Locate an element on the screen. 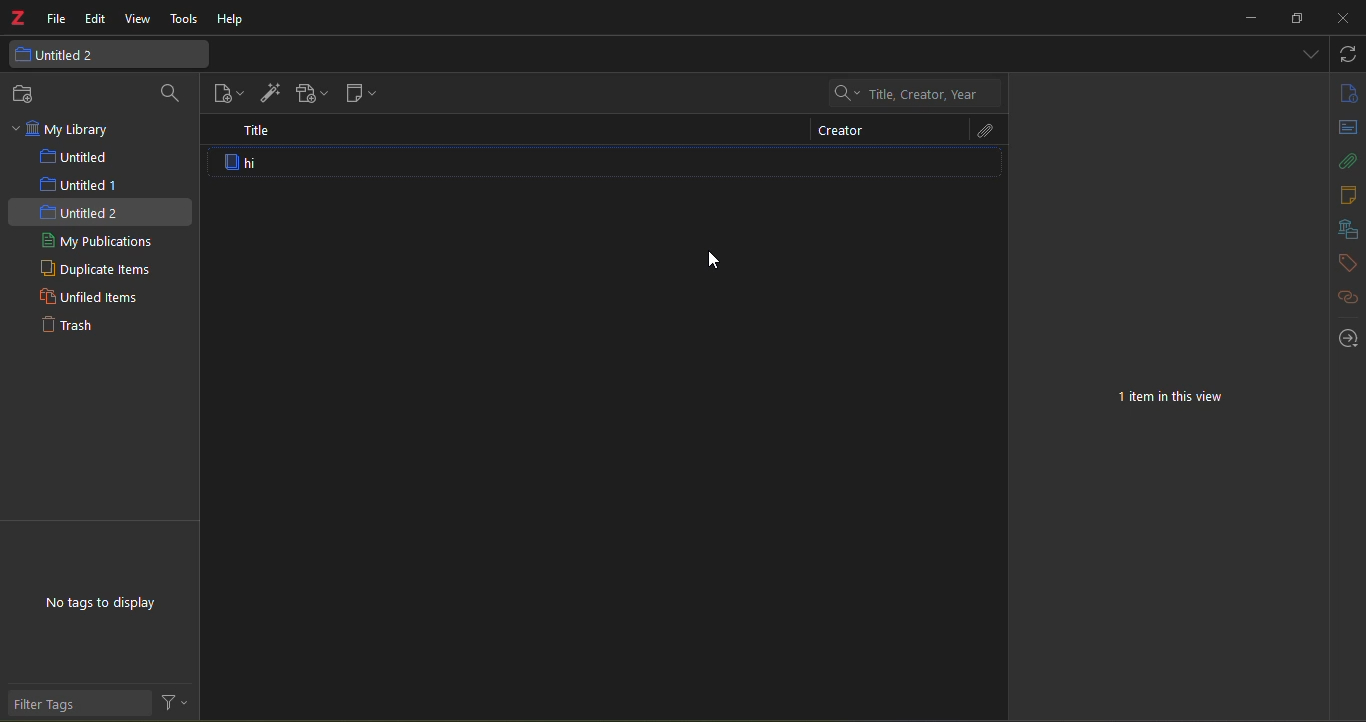  untitled is located at coordinates (70, 156).